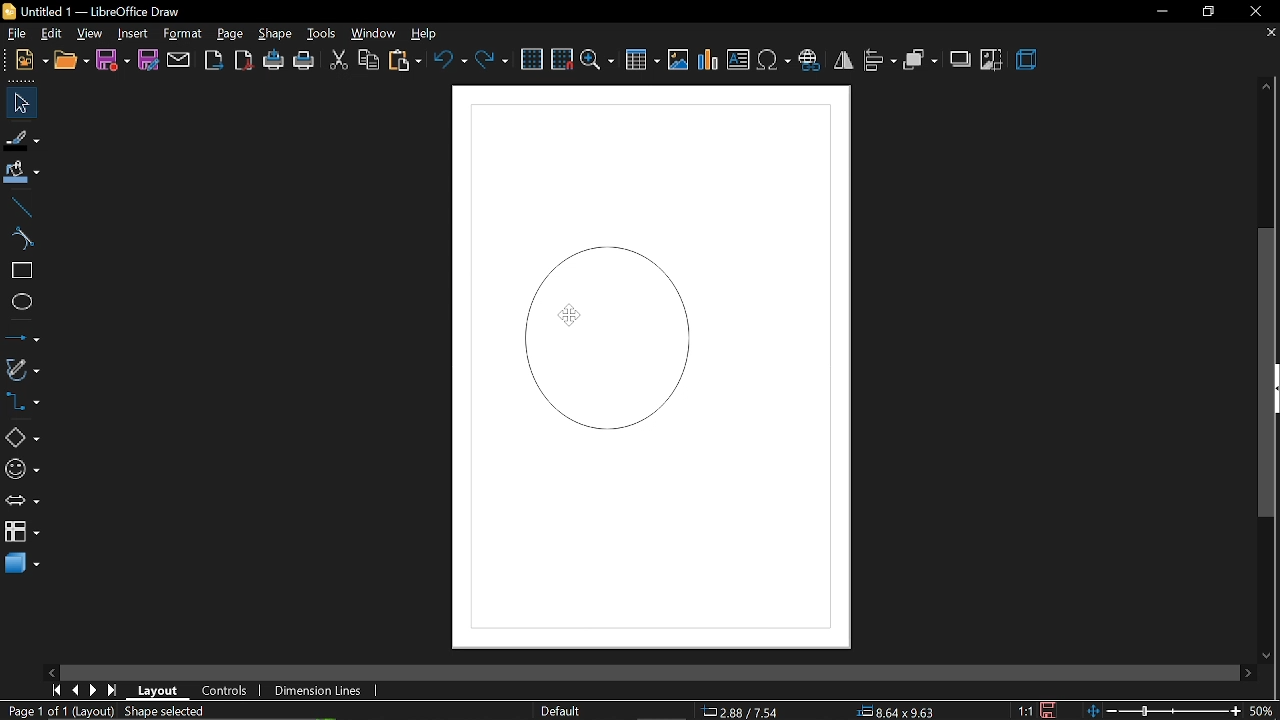 Image resolution: width=1280 pixels, height=720 pixels. Describe the element at coordinates (1270, 656) in the screenshot. I see `move down` at that location.